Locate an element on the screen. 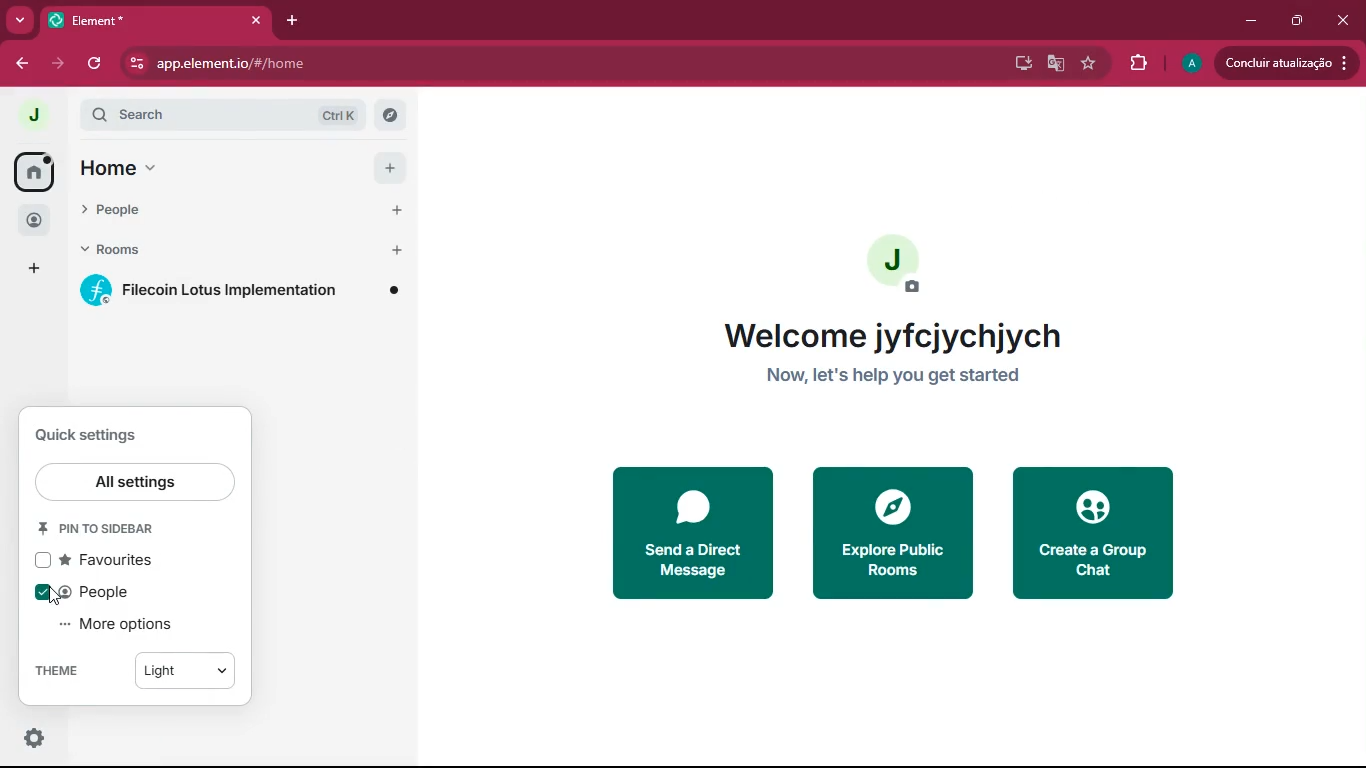 This screenshot has height=768, width=1366. minimize is located at coordinates (1254, 21).